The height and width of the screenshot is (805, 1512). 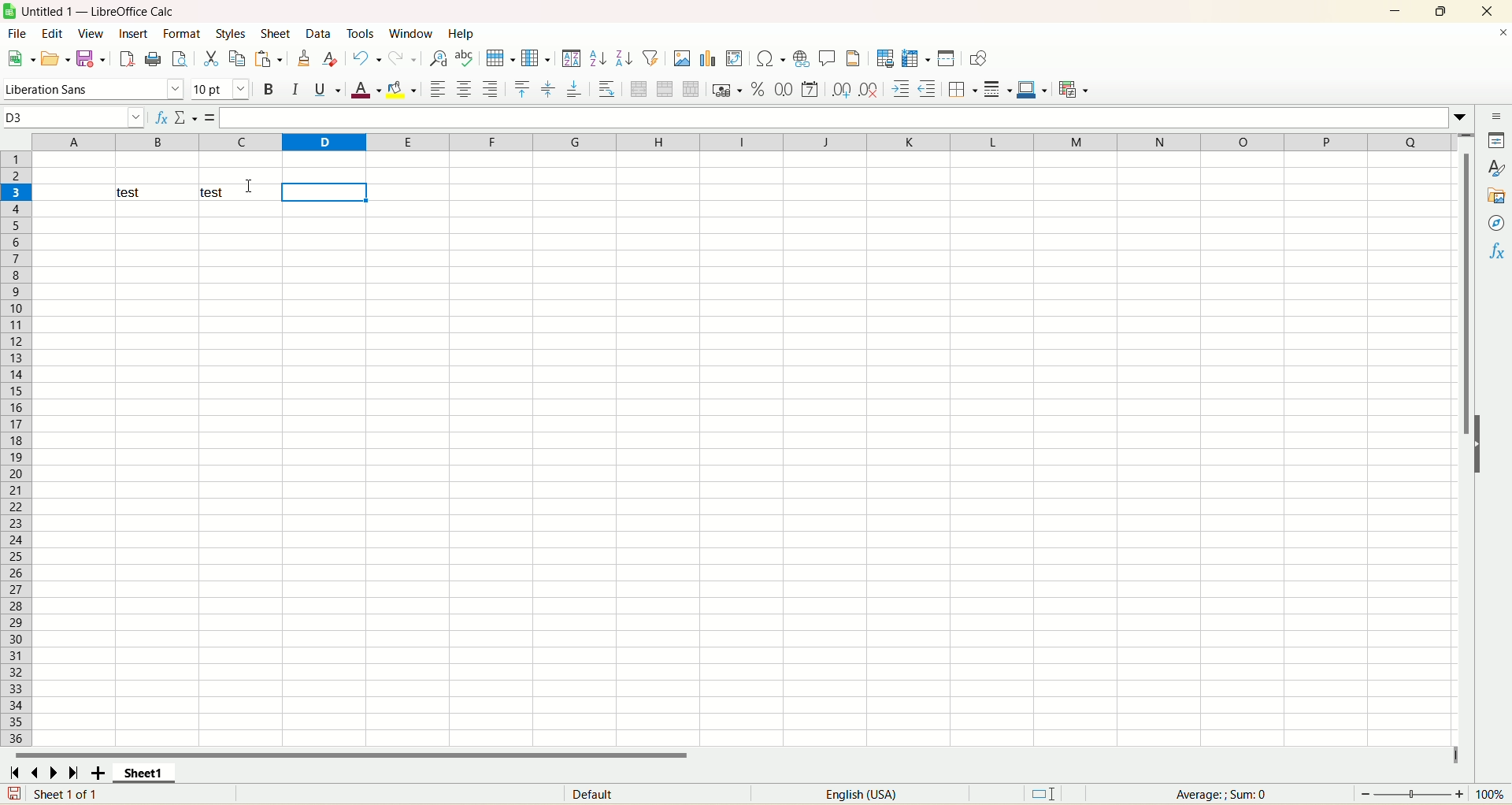 What do you see at coordinates (869, 89) in the screenshot?
I see `remove decimal` at bounding box center [869, 89].